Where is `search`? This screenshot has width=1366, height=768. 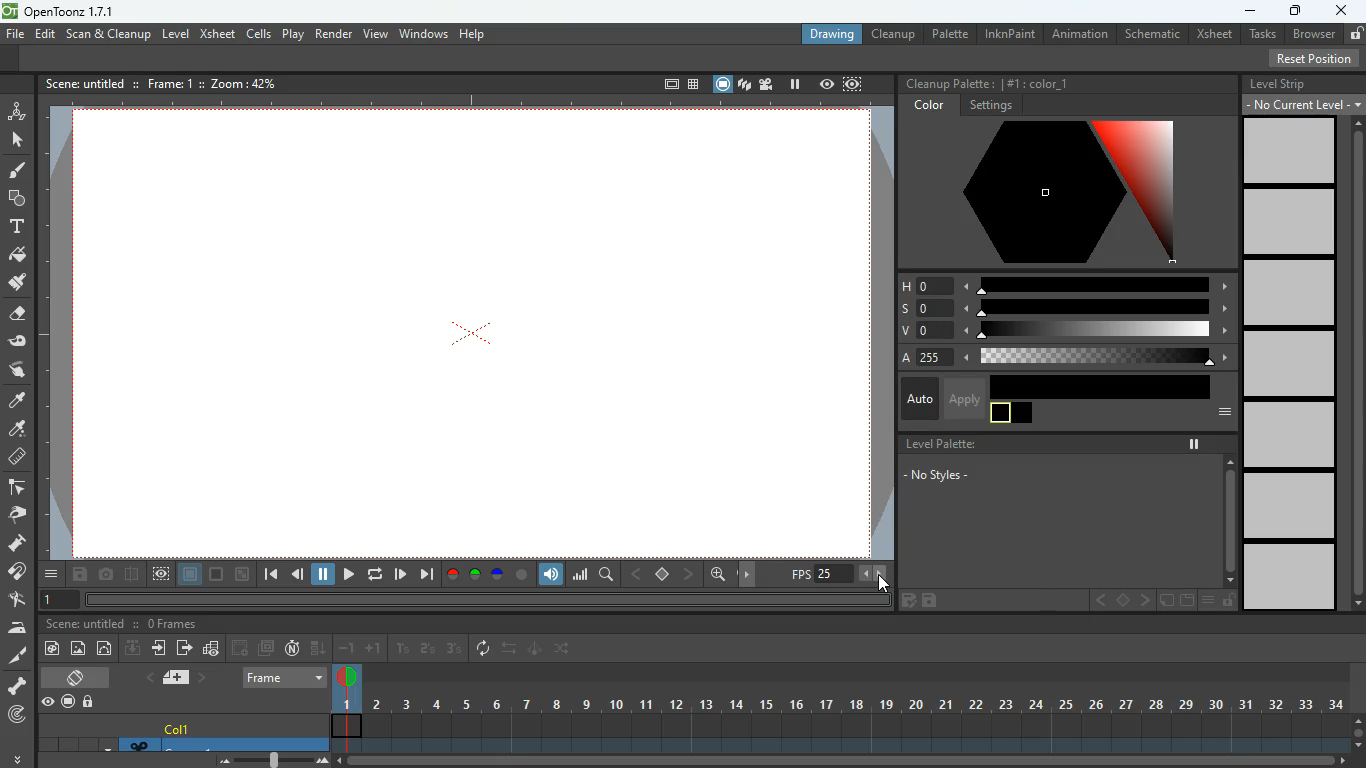 search is located at coordinates (610, 575).